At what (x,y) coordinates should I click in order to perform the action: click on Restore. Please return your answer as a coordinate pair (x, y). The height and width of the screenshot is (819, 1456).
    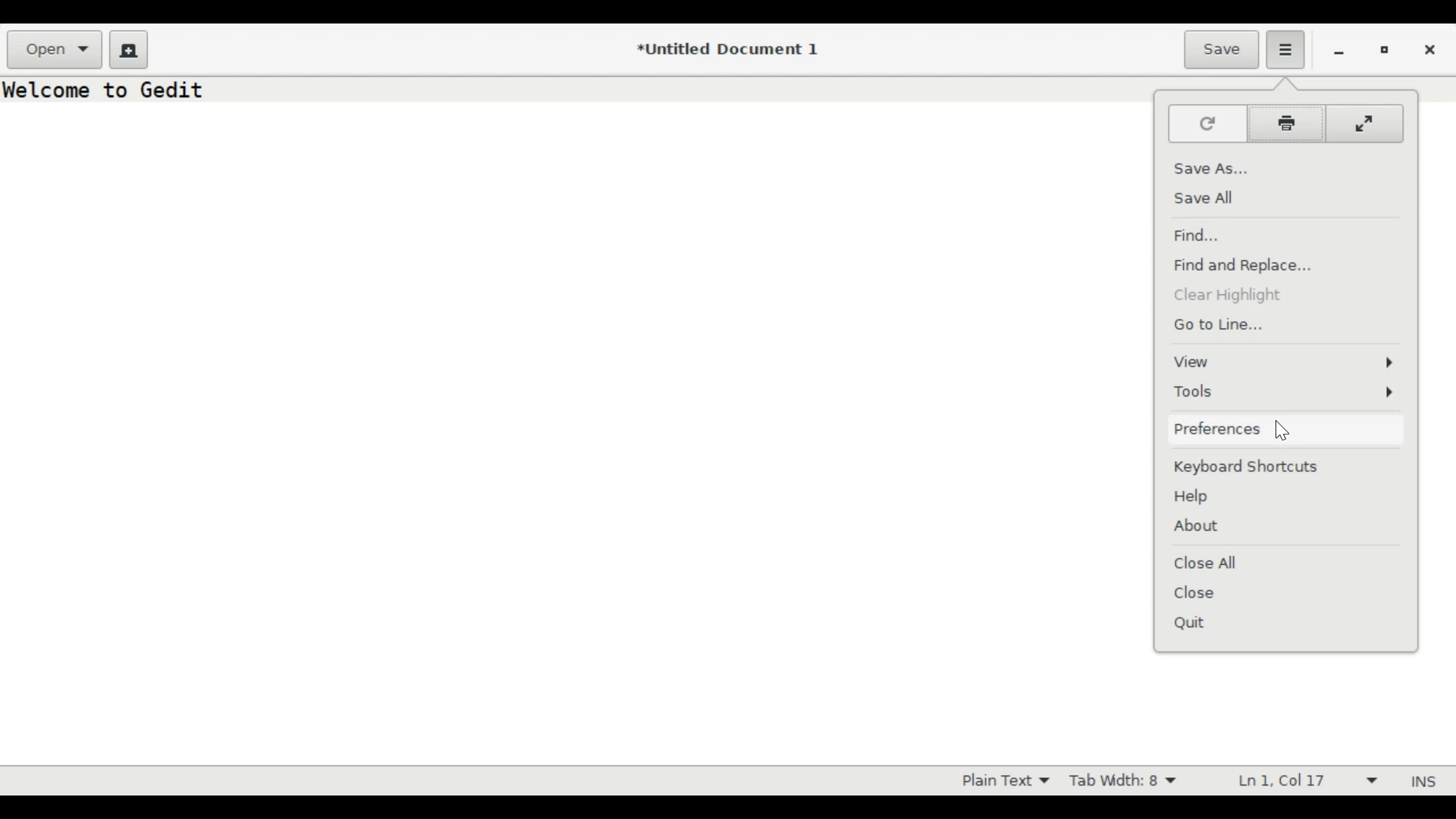
    Looking at the image, I should click on (1382, 49).